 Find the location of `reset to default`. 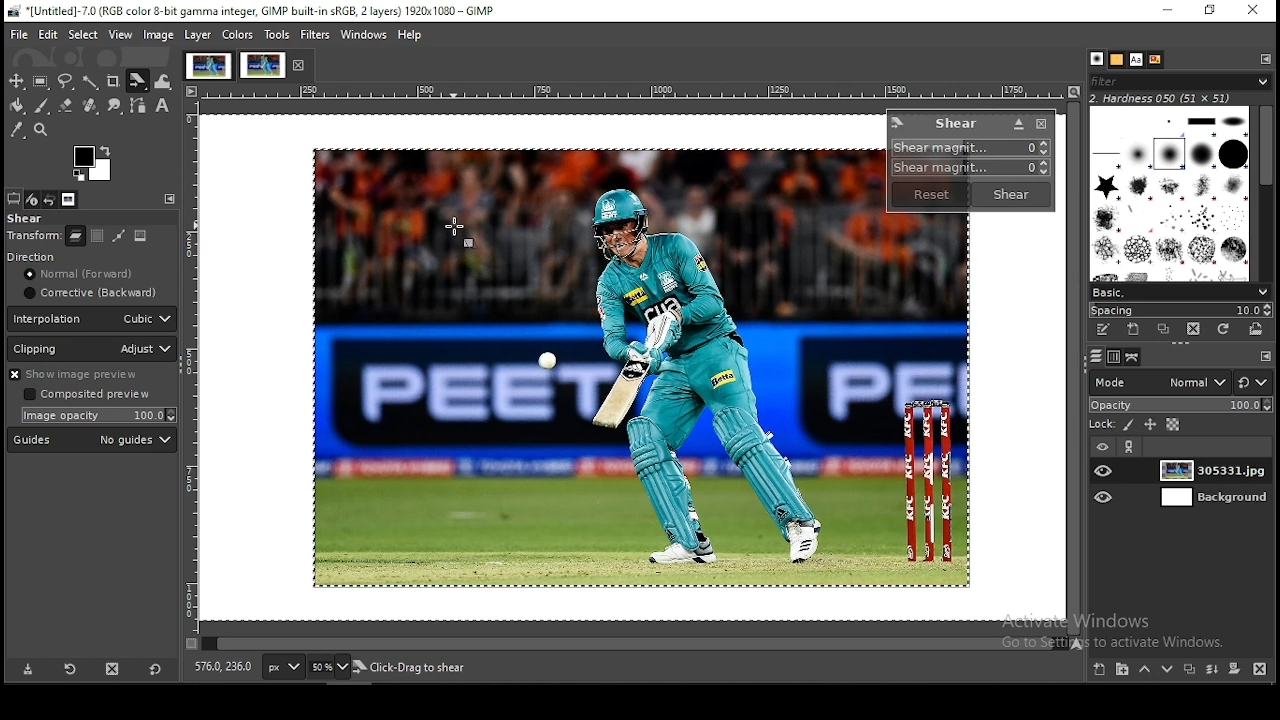

reset to default is located at coordinates (155, 670).